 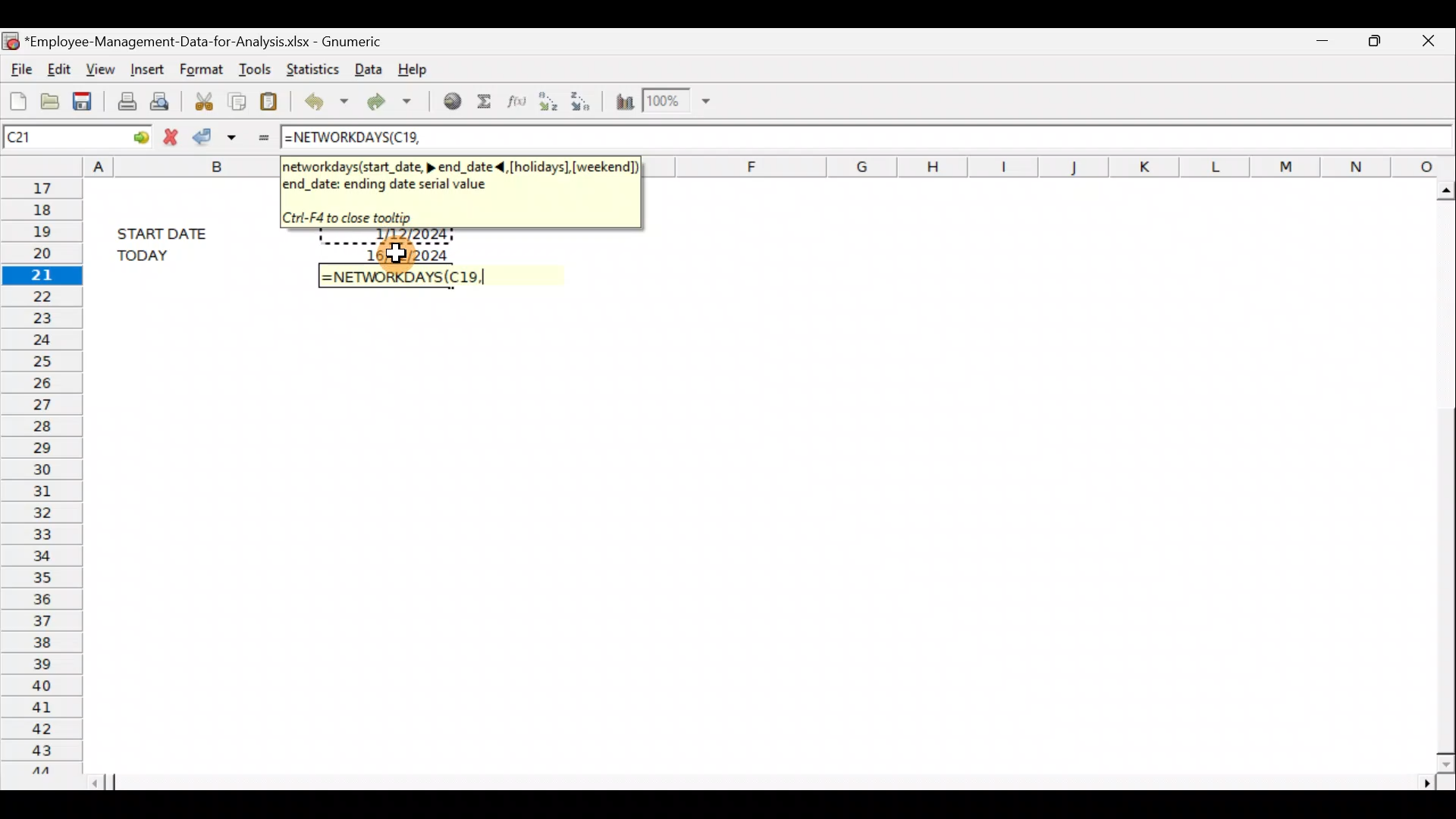 What do you see at coordinates (217, 136) in the screenshot?
I see `Accept change` at bounding box center [217, 136].